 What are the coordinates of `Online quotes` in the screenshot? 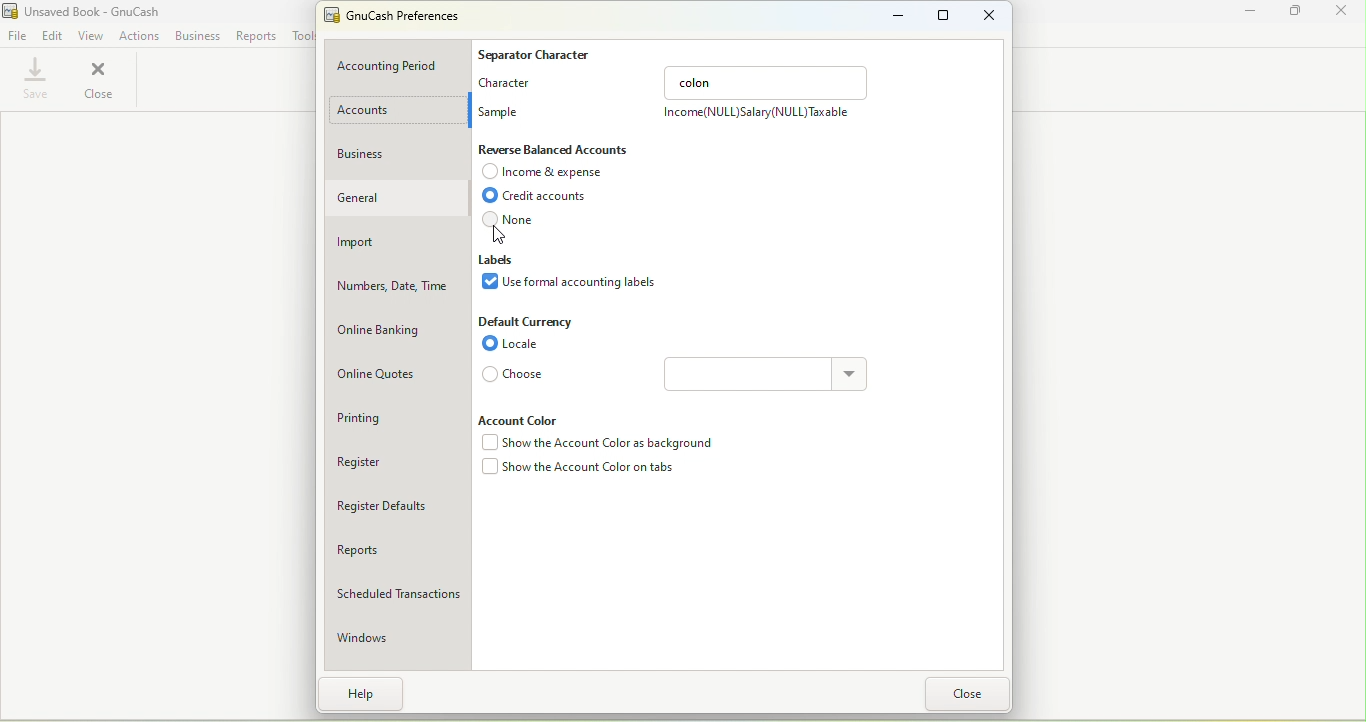 It's located at (399, 374).